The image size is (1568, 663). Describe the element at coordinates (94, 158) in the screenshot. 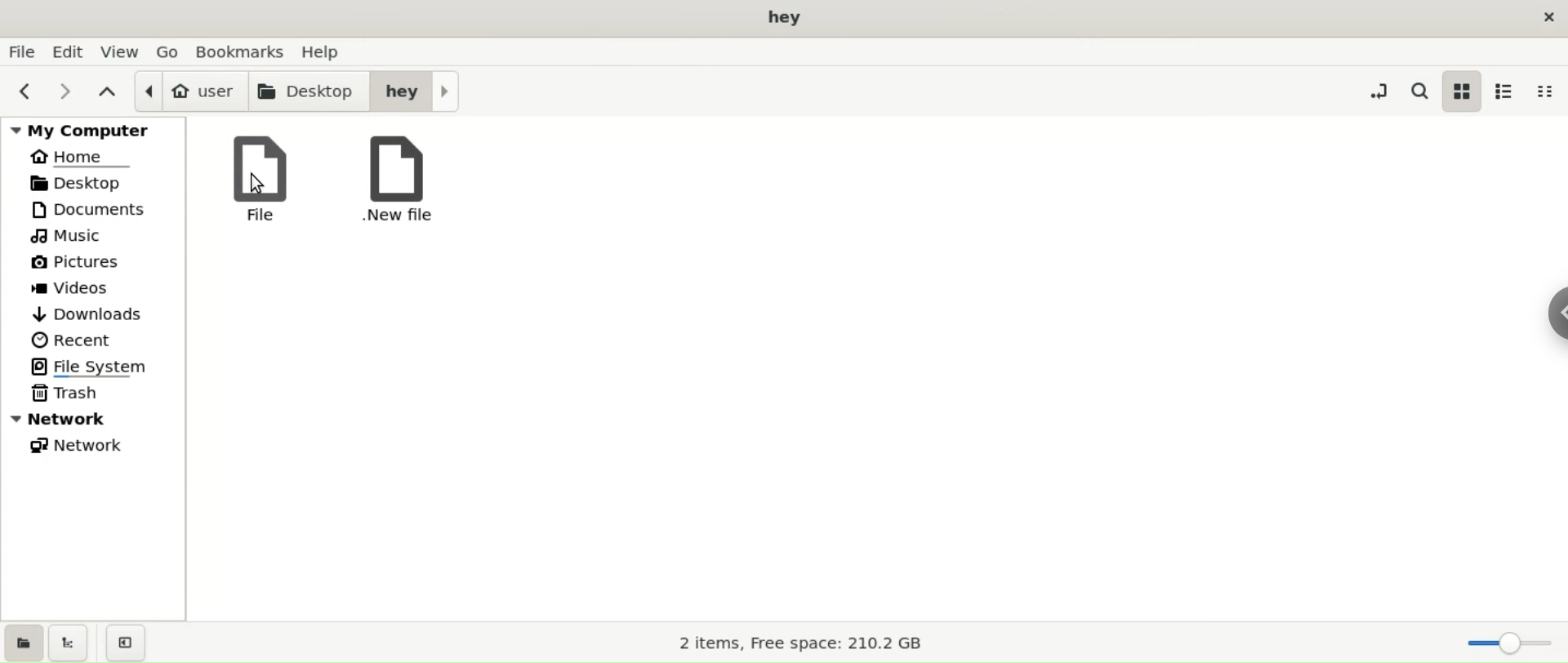

I see `home` at that location.